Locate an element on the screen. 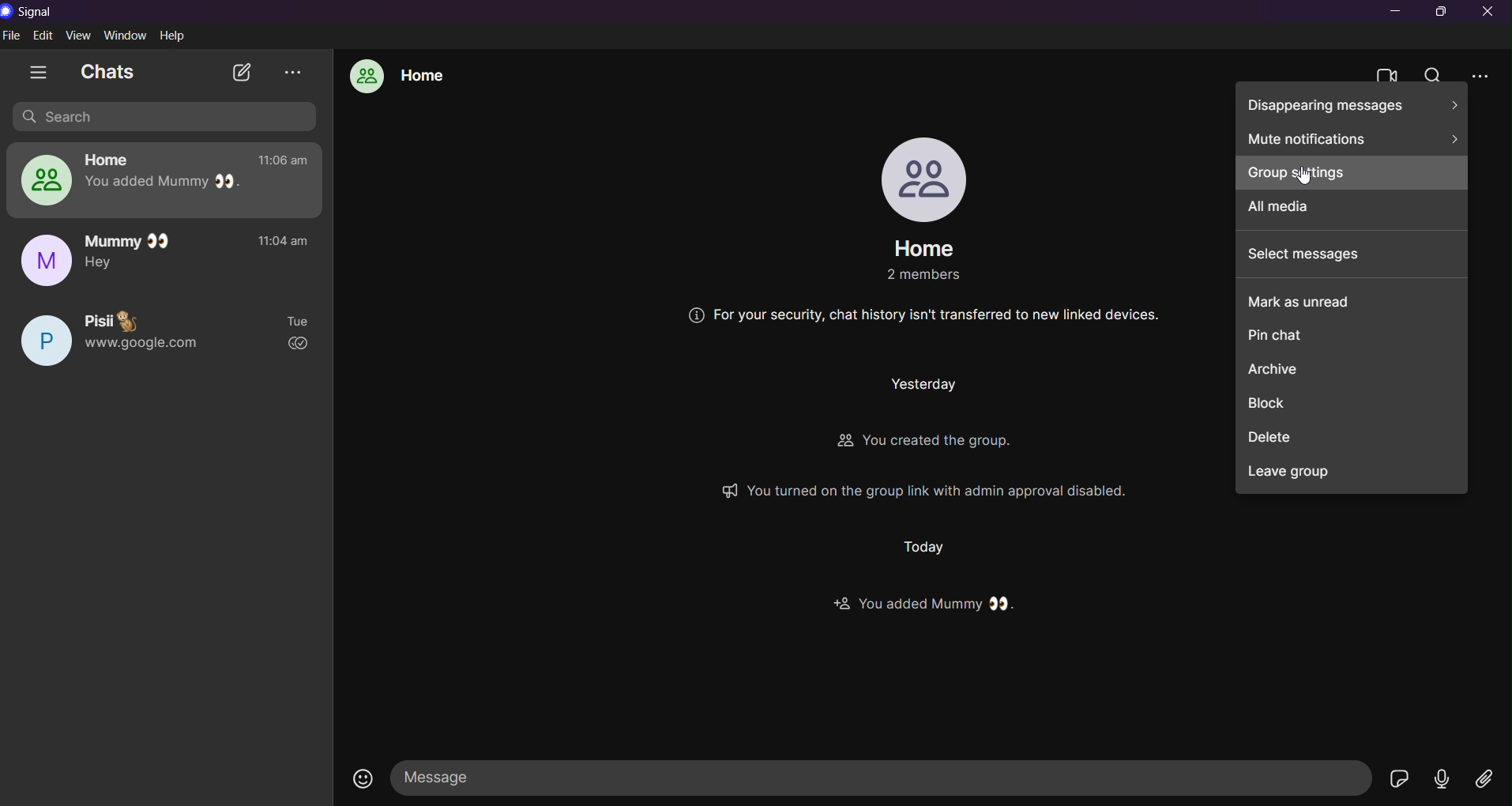  select messages is located at coordinates (1351, 253).